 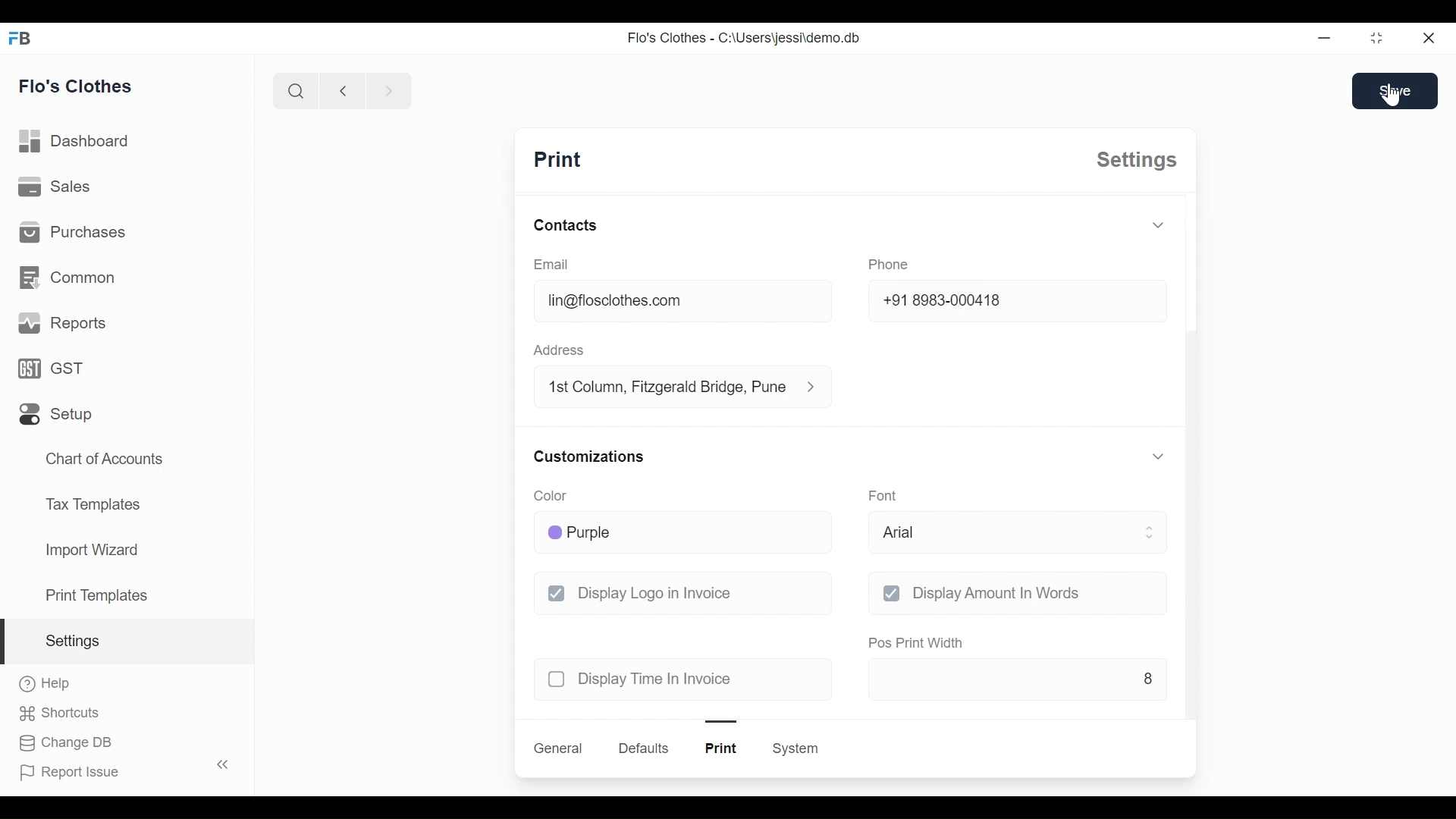 I want to click on print, so click(x=557, y=160).